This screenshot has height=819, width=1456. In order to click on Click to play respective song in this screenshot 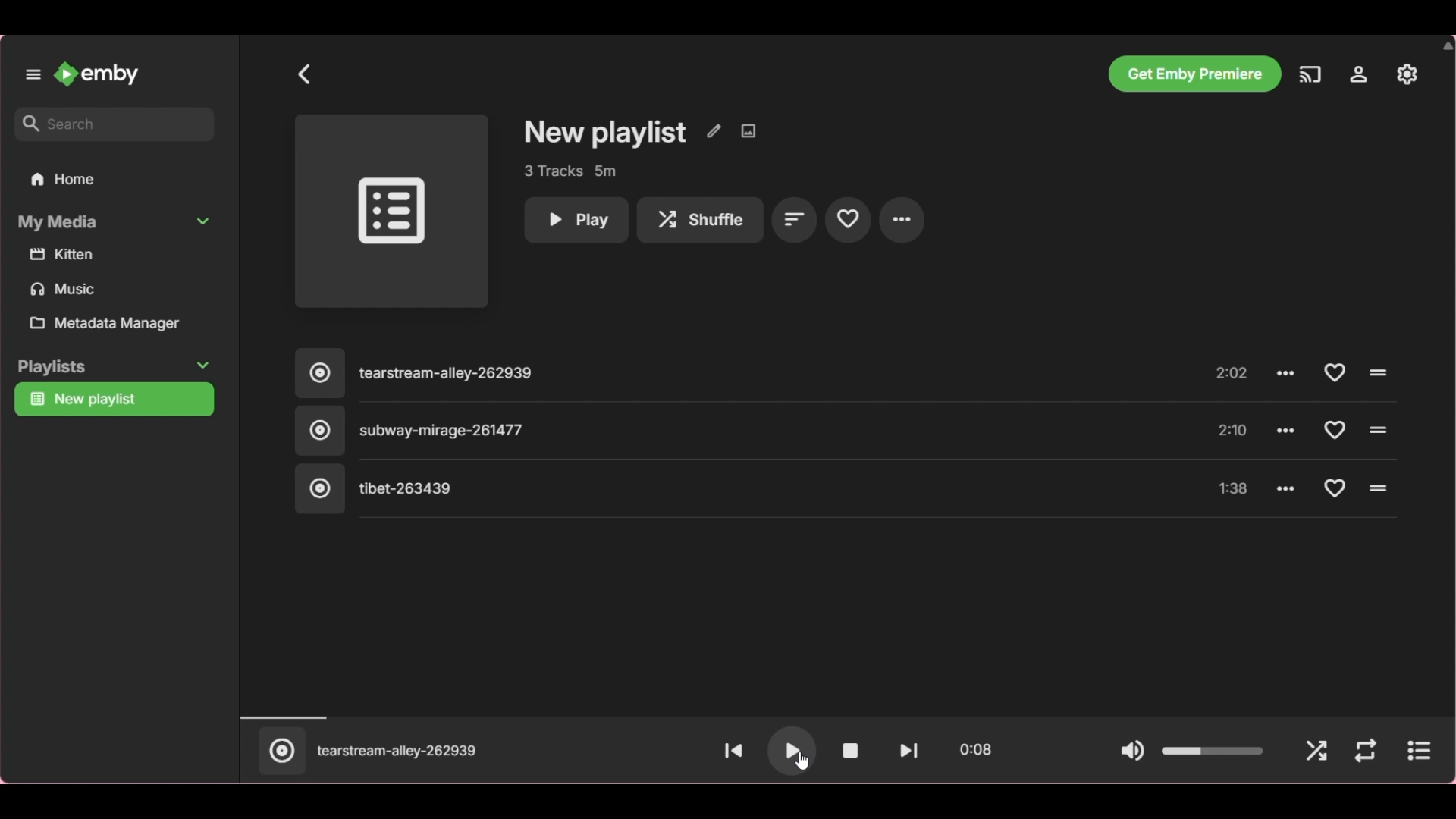, I will do `click(1376, 373)`.